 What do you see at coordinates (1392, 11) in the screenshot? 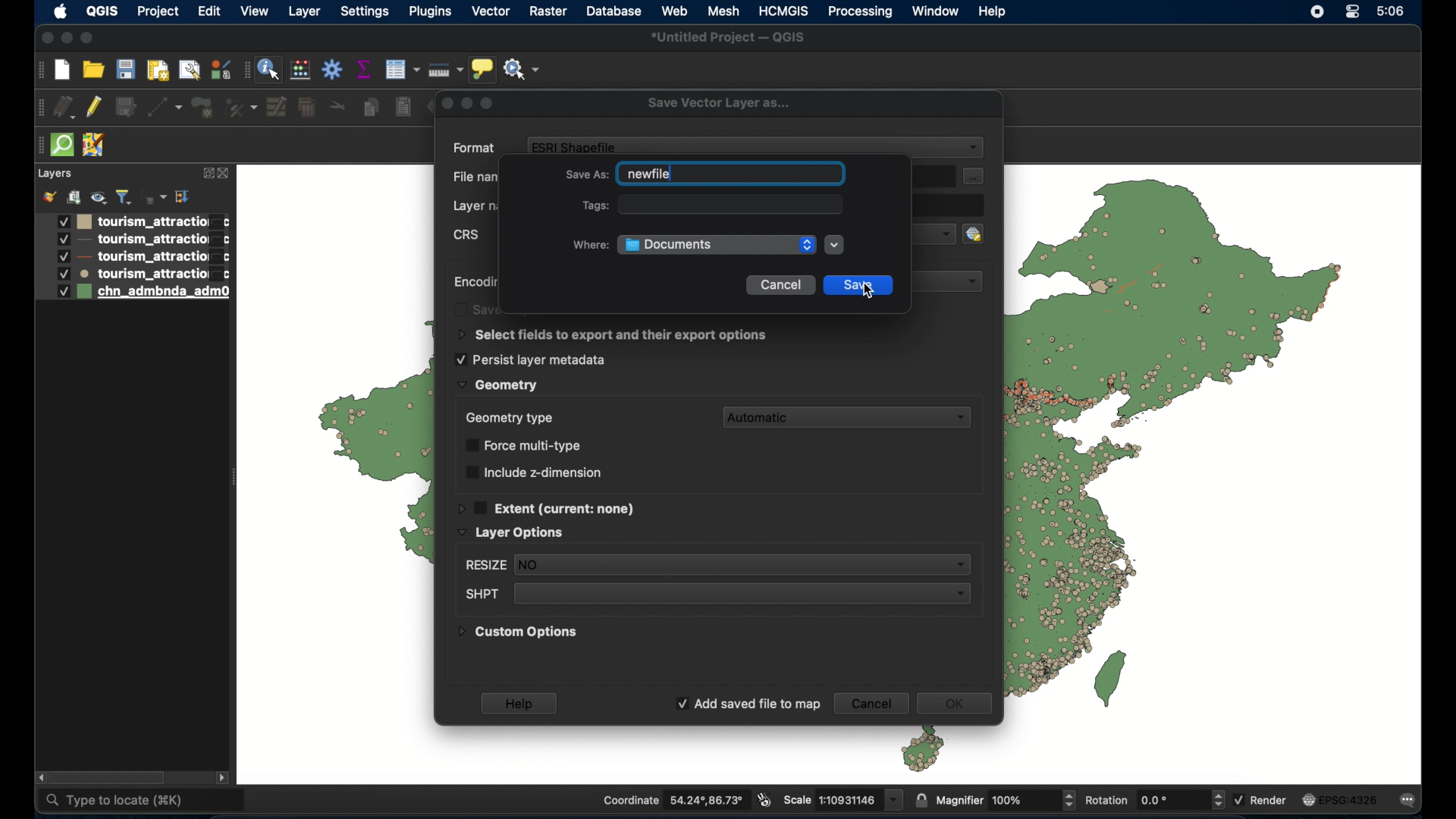
I see `time` at bounding box center [1392, 11].